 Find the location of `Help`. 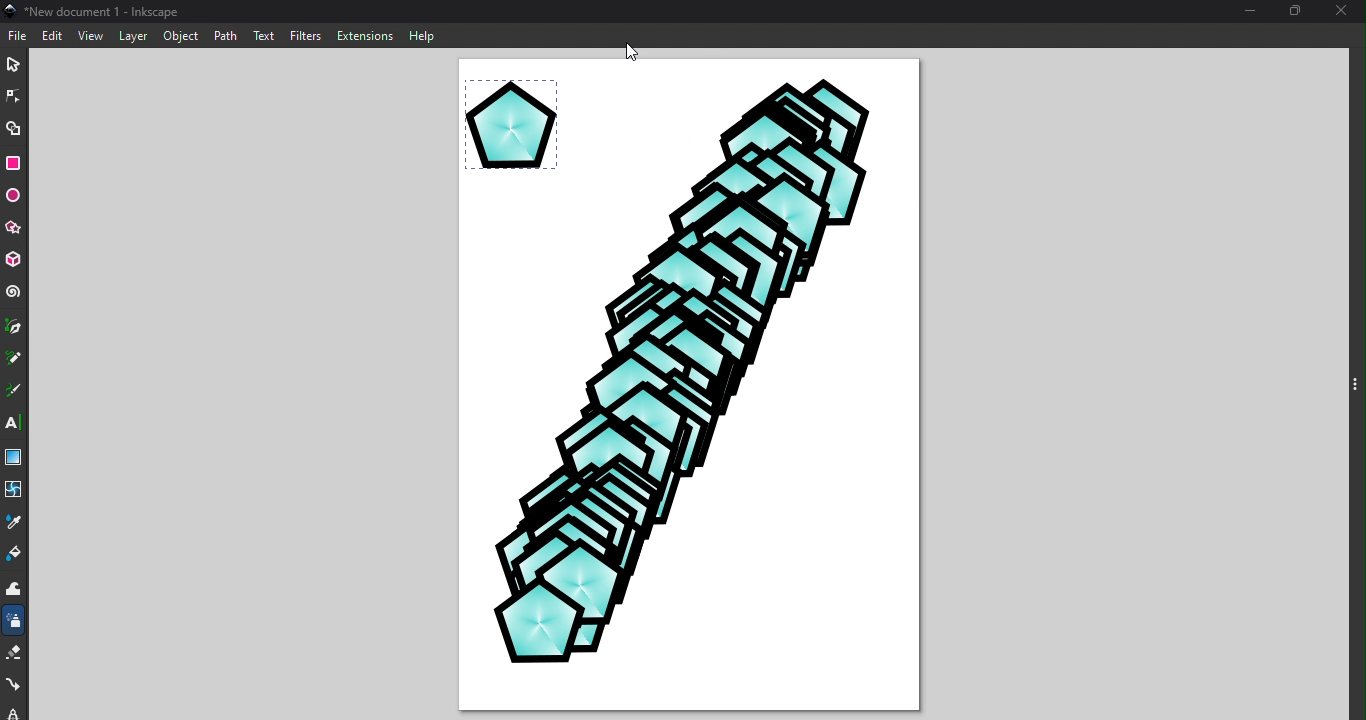

Help is located at coordinates (422, 35).